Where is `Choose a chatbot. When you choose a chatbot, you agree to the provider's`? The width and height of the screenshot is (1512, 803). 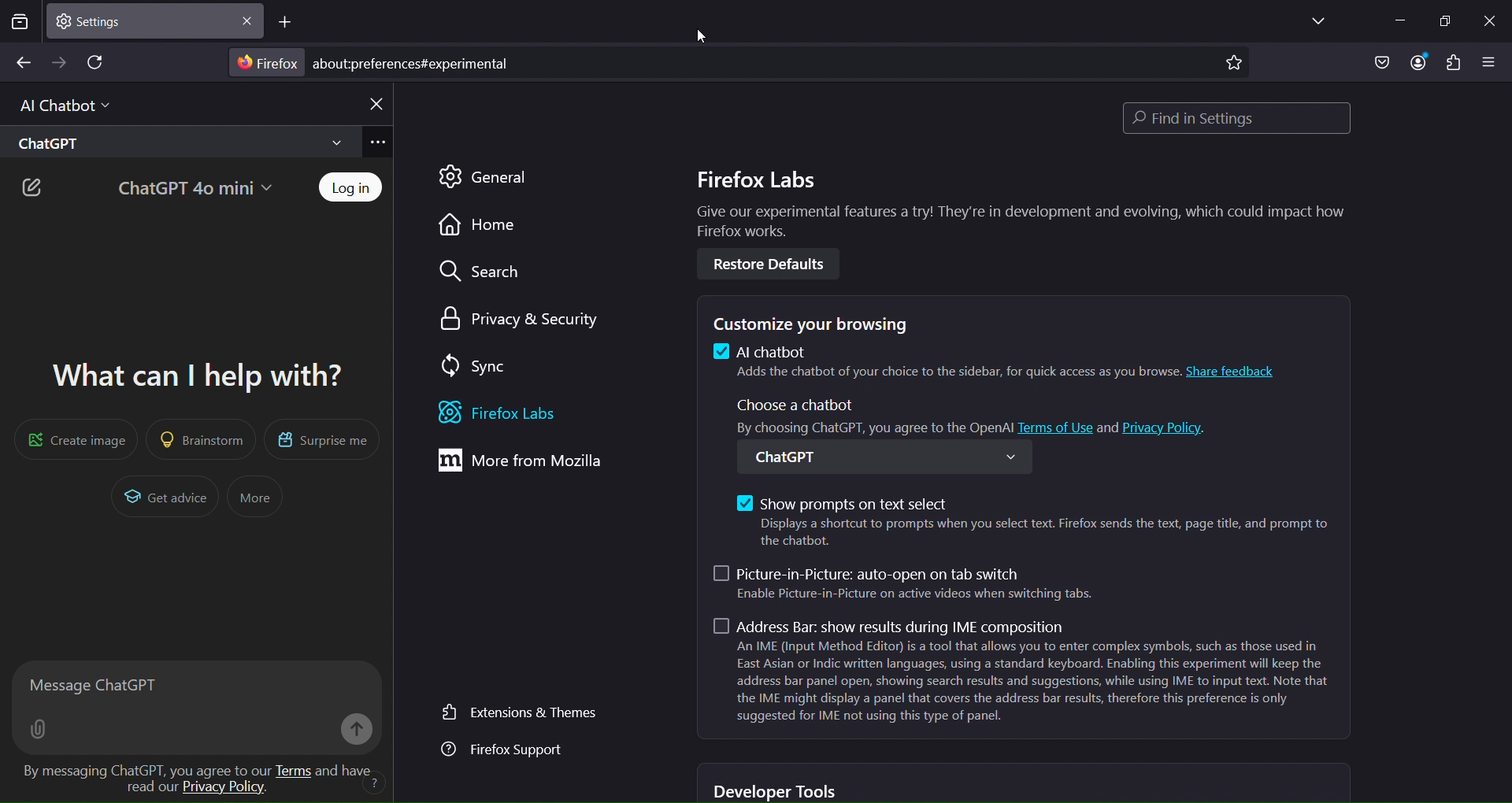
Choose a chatbot. When you choose a chatbot, you agree to the provider's is located at coordinates (870, 416).